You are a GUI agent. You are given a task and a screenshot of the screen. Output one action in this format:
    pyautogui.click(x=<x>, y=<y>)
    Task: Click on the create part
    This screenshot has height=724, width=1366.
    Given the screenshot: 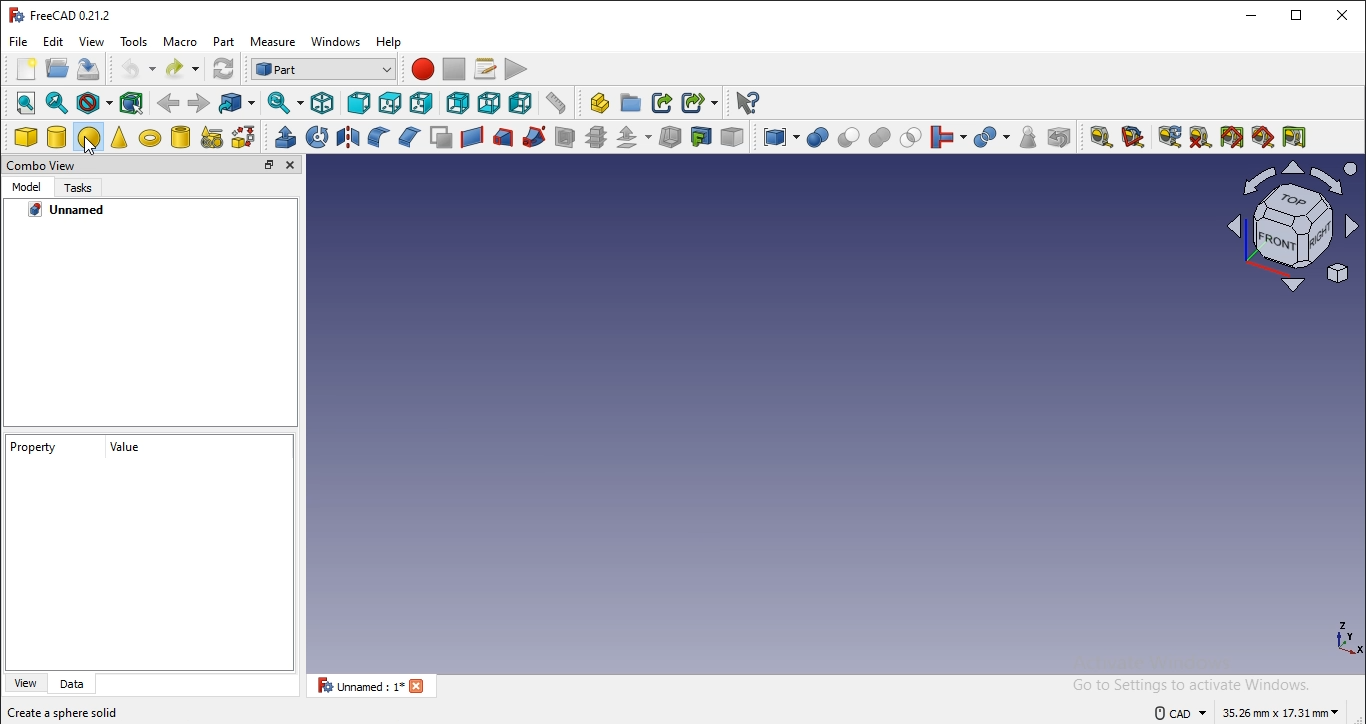 What is the action you would take?
    pyautogui.click(x=599, y=103)
    